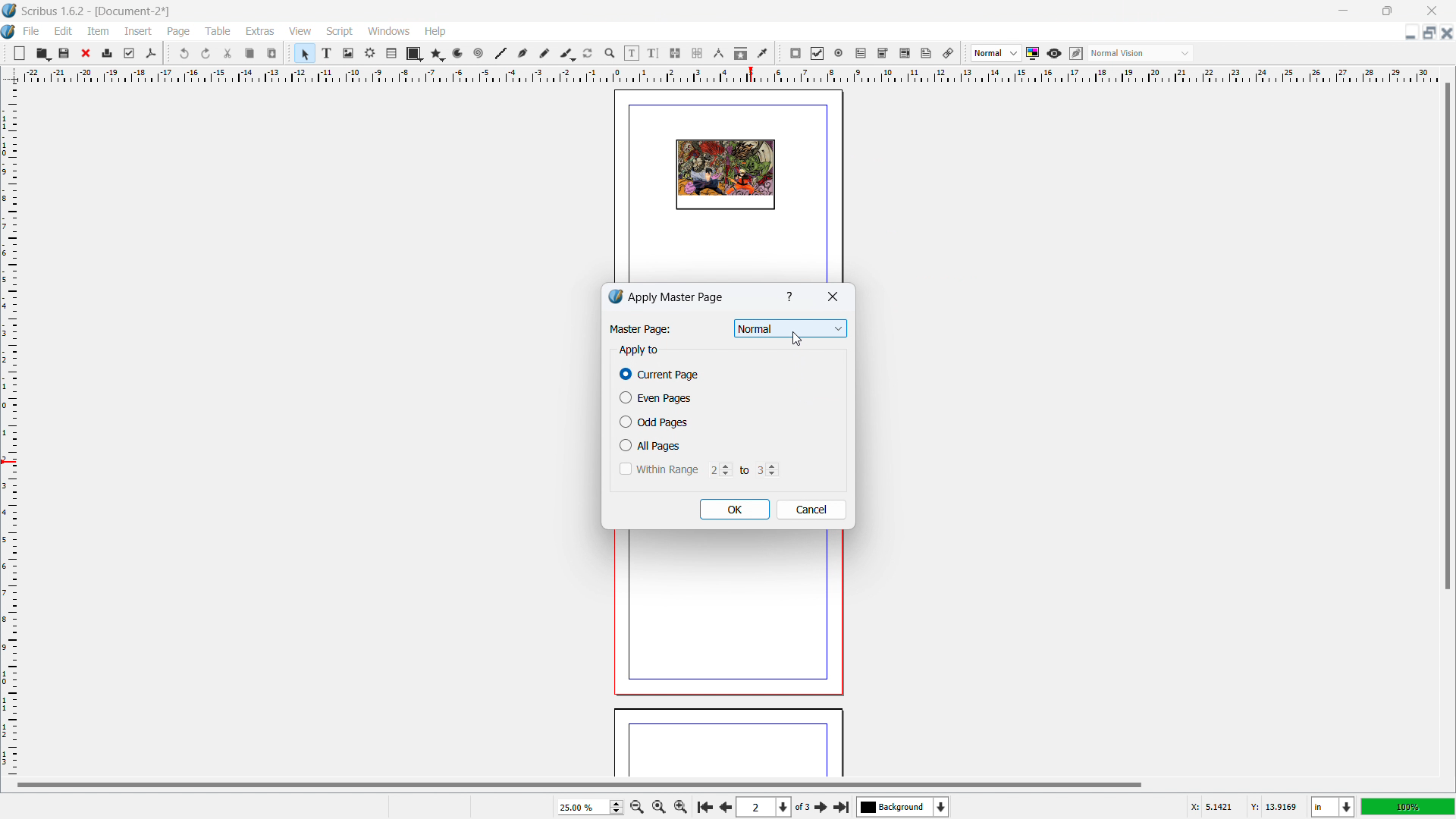 This screenshot has height=819, width=1456. I want to click on range ending at page number, so click(767, 469).